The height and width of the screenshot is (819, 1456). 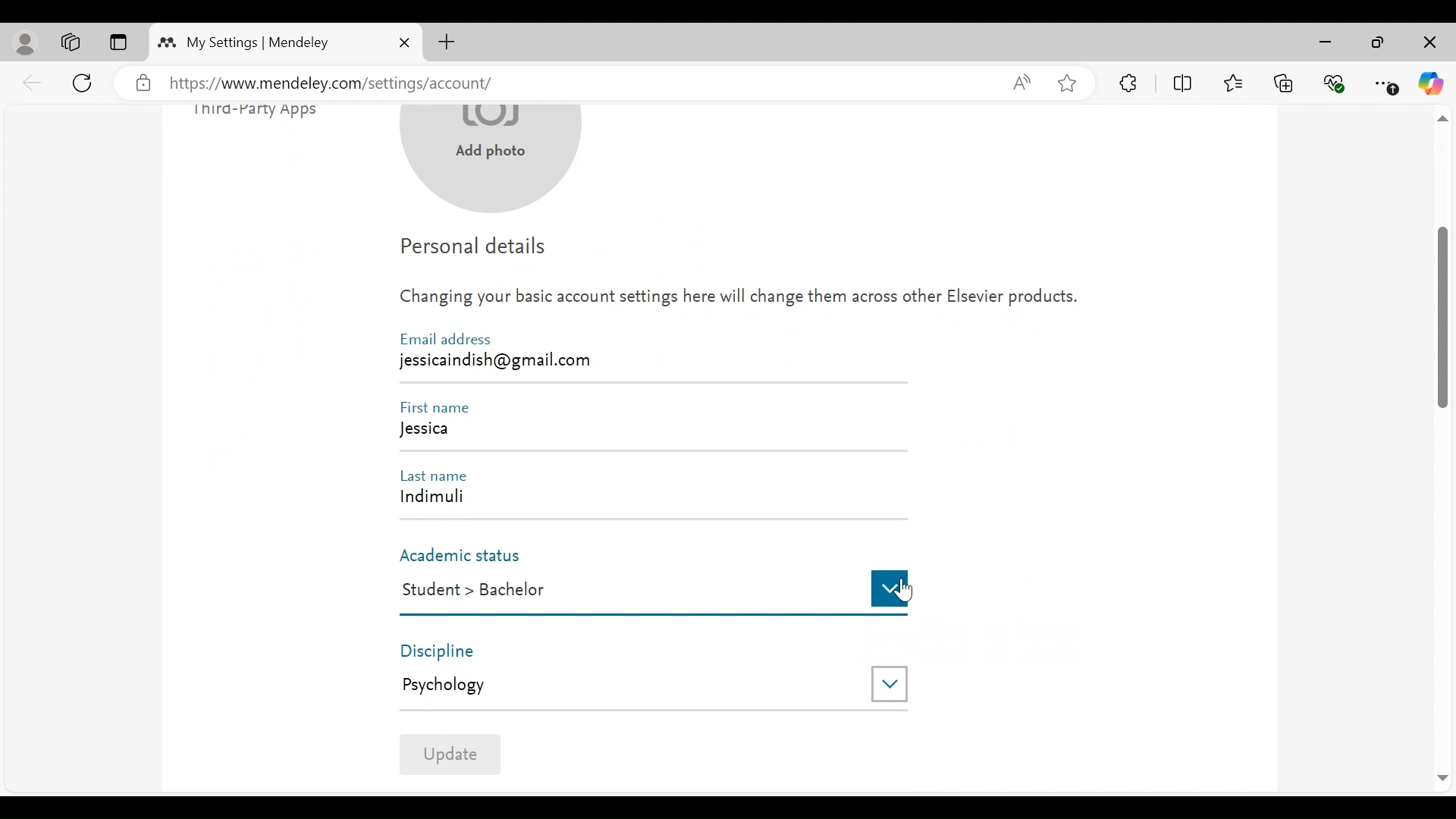 What do you see at coordinates (258, 42) in the screenshot?
I see `My Settings | Mendeley` at bounding box center [258, 42].